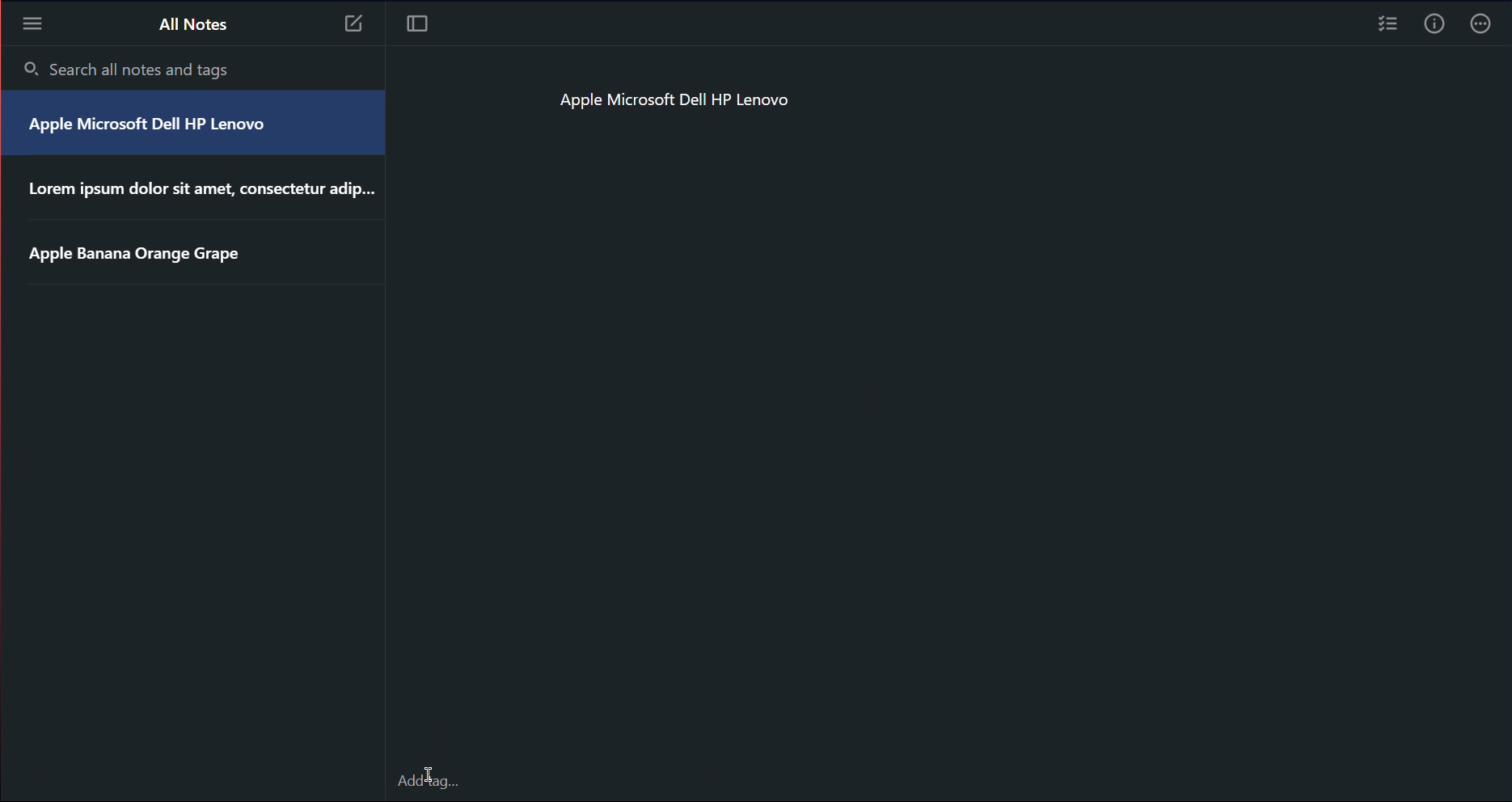  What do you see at coordinates (192, 23) in the screenshot?
I see `All Notes` at bounding box center [192, 23].